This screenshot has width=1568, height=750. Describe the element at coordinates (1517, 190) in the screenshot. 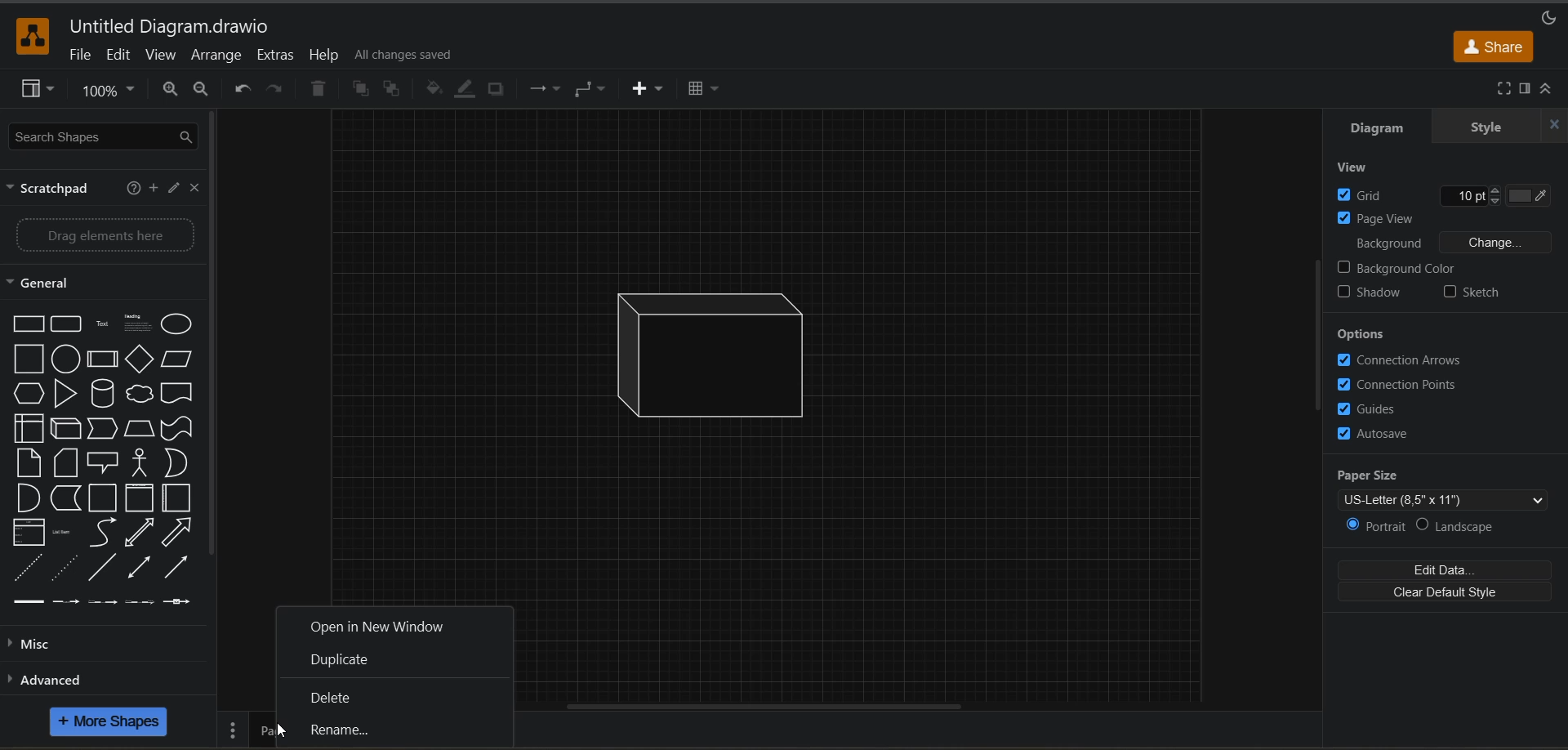

I see `Grid color` at that location.